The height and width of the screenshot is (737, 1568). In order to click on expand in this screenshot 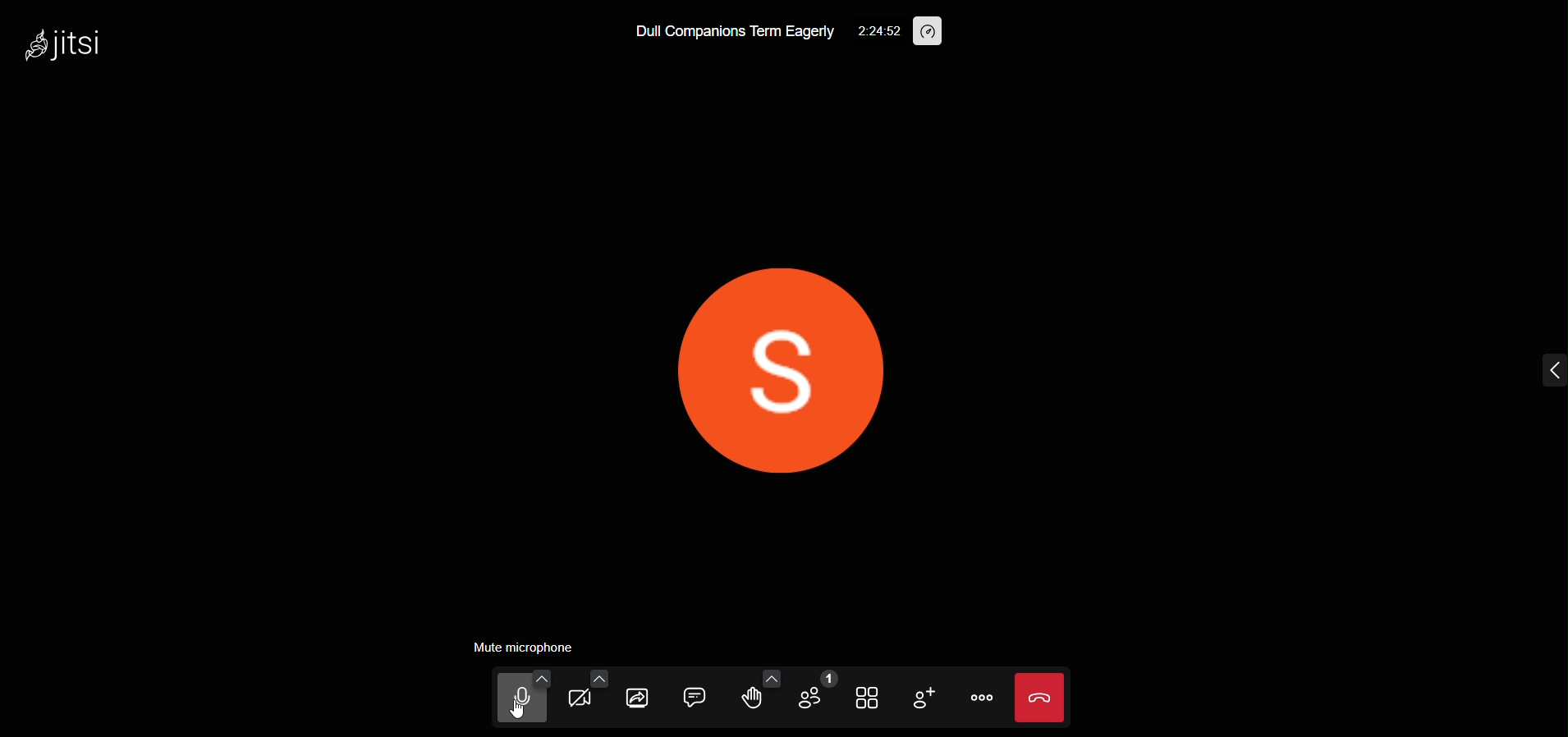, I will do `click(1548, 374)`.